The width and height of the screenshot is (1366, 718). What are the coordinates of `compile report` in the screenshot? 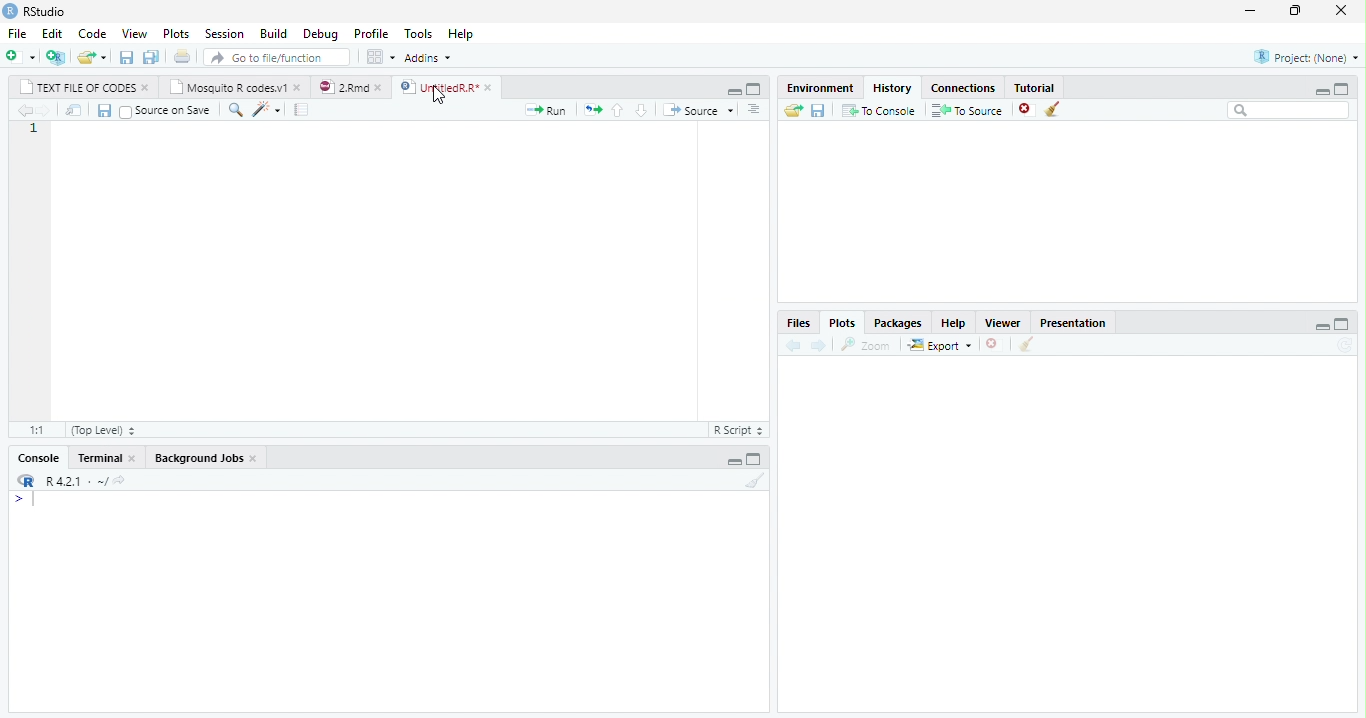 It's located at (305, 110).